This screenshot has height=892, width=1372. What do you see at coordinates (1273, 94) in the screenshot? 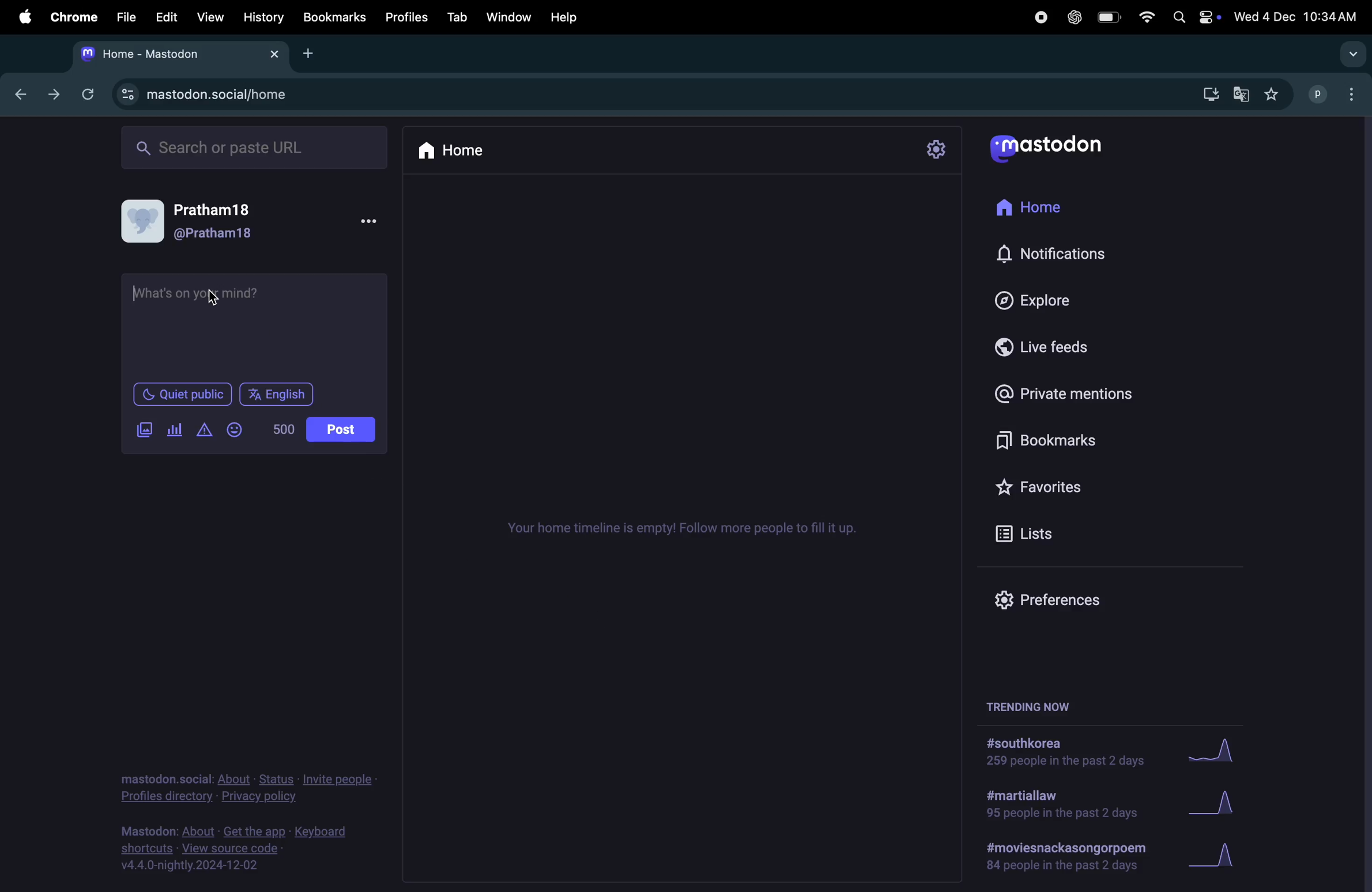
I see `favourites` at bounding box center [1273, 94].